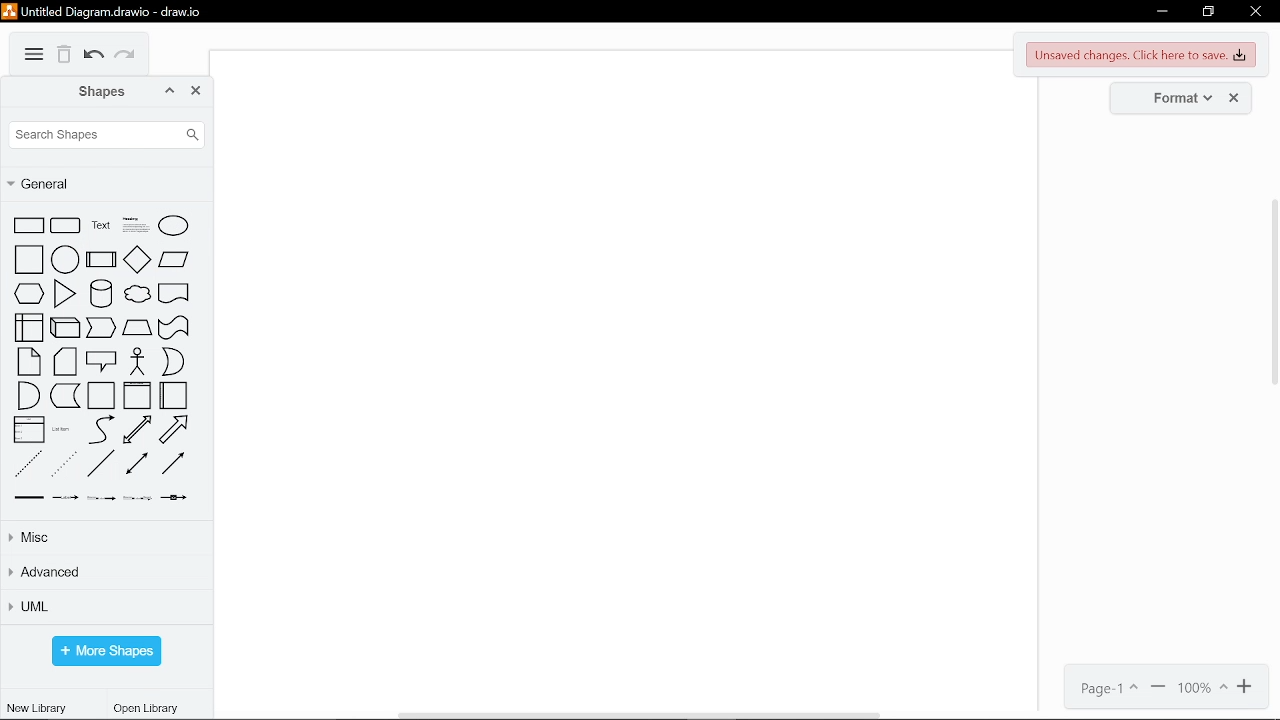 The width and height of the screenshot is (1280, 720). What do you see at coordinates (94, 57) in the screenshot?
I see `undo` at bounding box center [94, 57].